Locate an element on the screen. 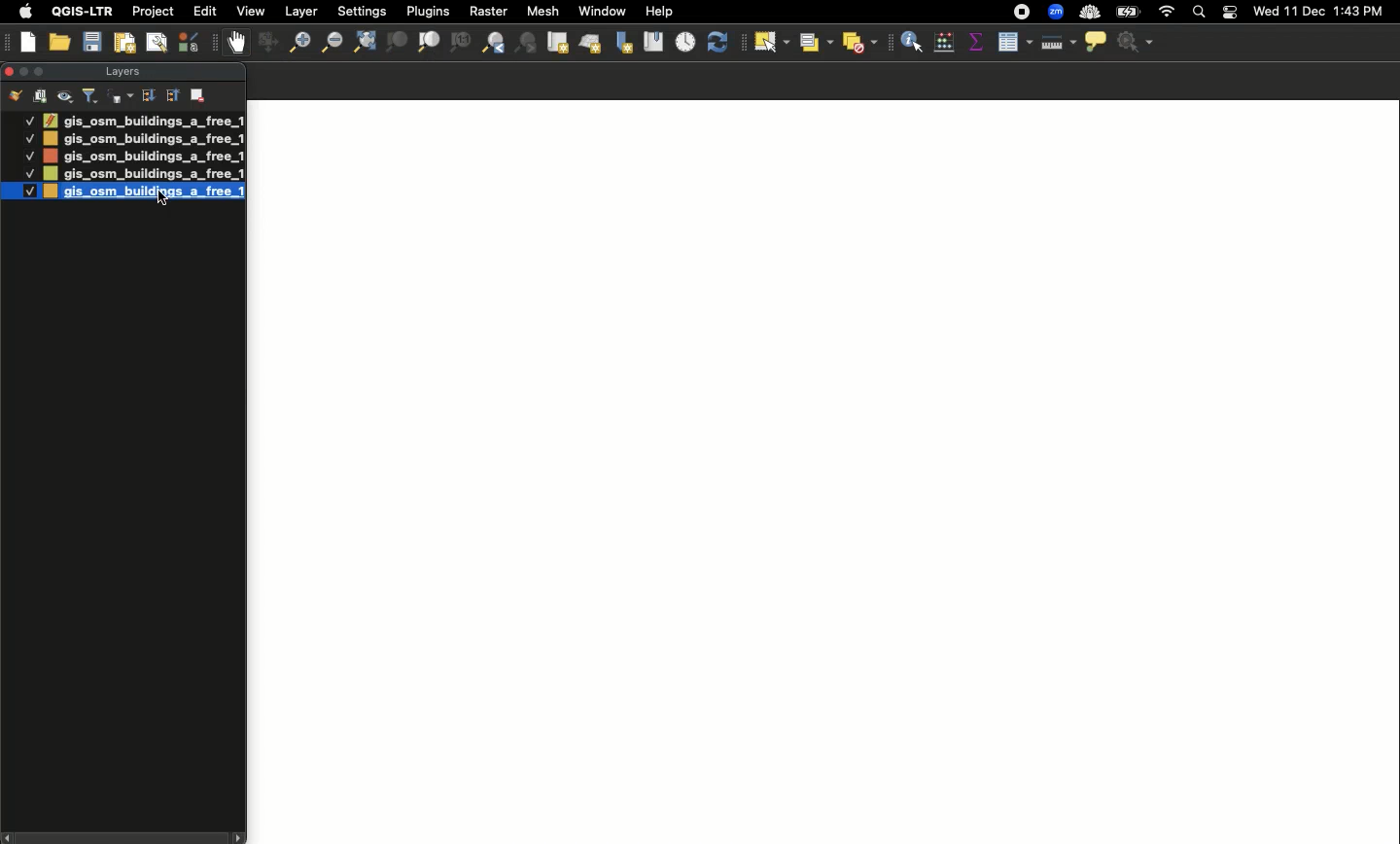 The width and height of the screenshot is (1400, 844). Show map tips is located at coordinates (1095, 41).